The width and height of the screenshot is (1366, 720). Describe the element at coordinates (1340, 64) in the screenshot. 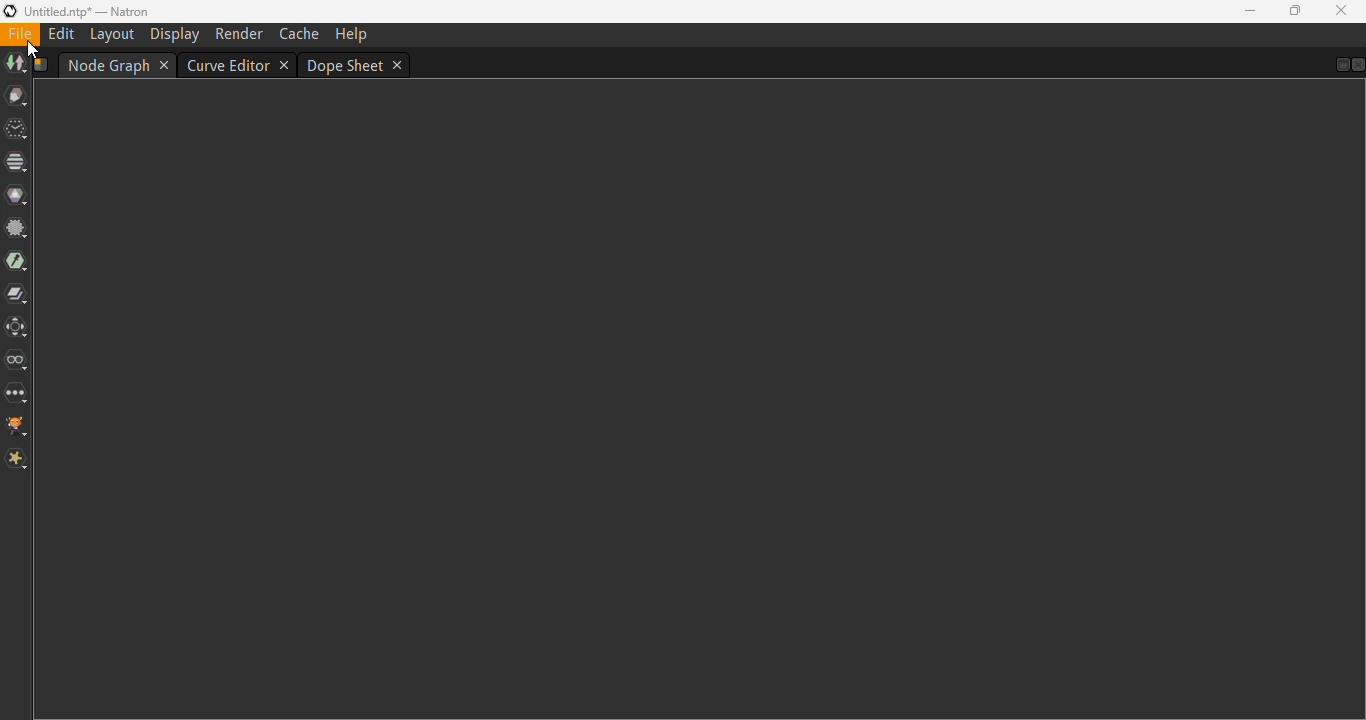

I see `float pane` at that location.